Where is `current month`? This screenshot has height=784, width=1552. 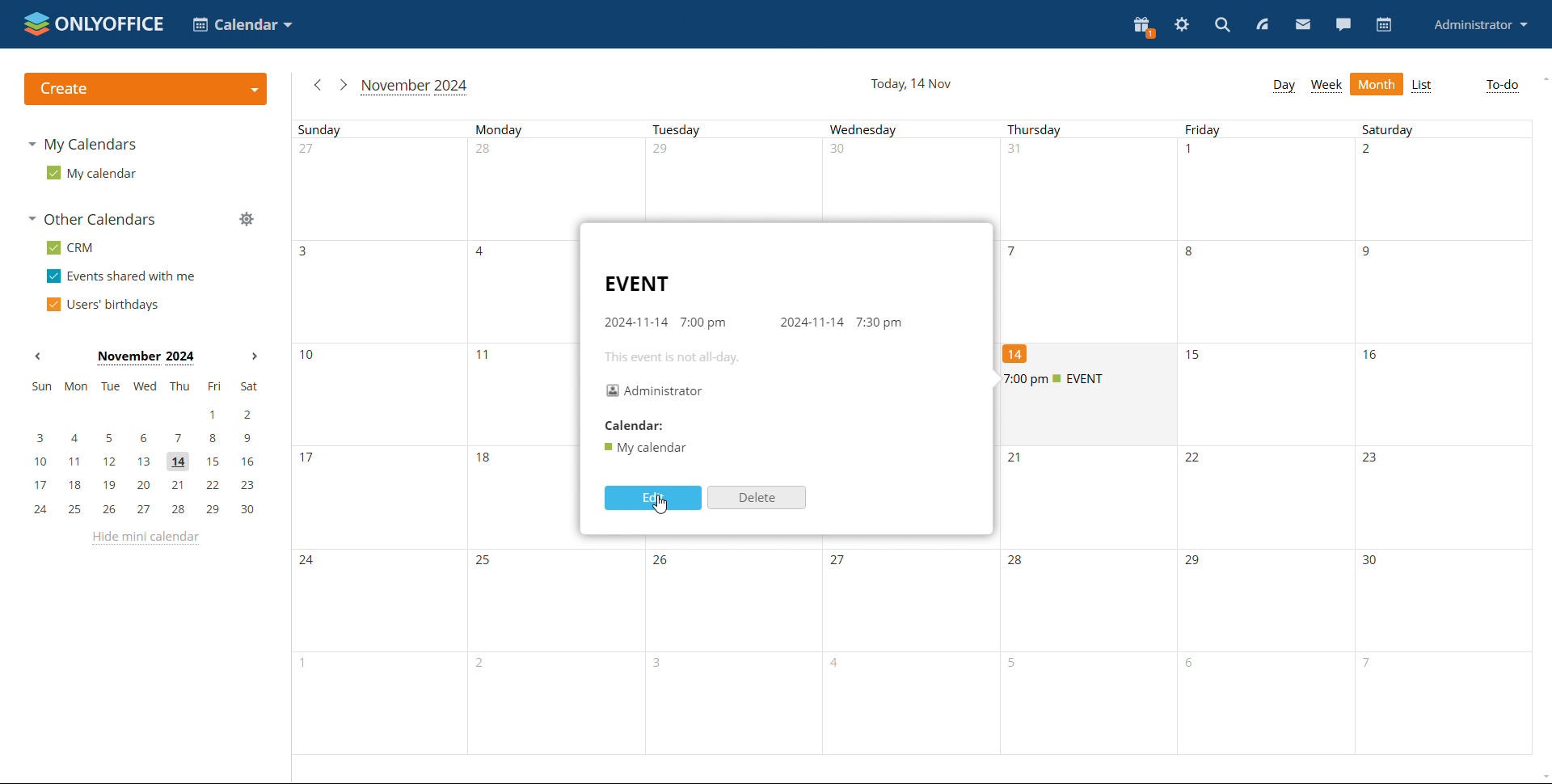
current month is located at coordinates (414, 87).